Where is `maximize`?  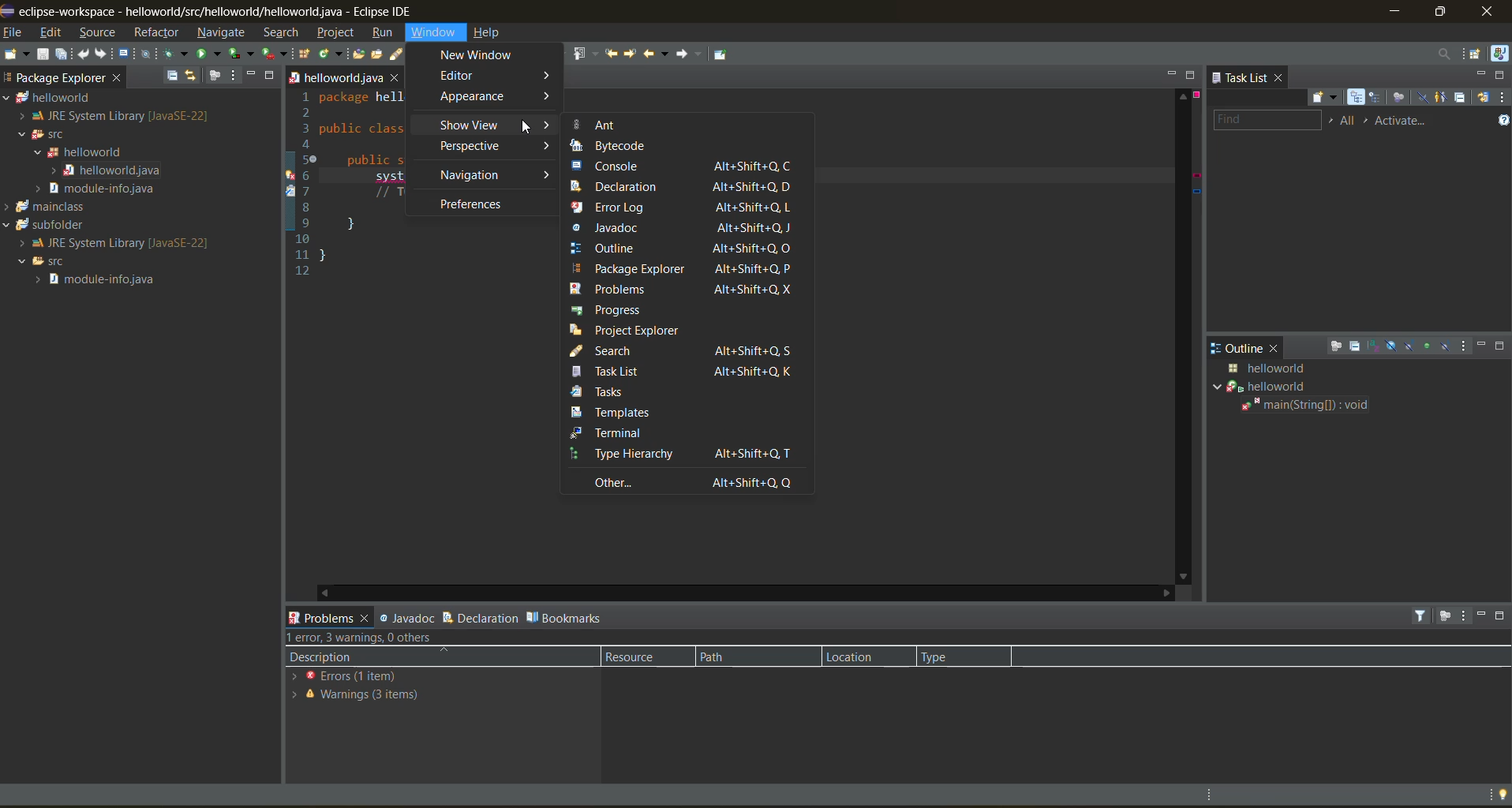
maximize is located at coordinates (1502, 616).